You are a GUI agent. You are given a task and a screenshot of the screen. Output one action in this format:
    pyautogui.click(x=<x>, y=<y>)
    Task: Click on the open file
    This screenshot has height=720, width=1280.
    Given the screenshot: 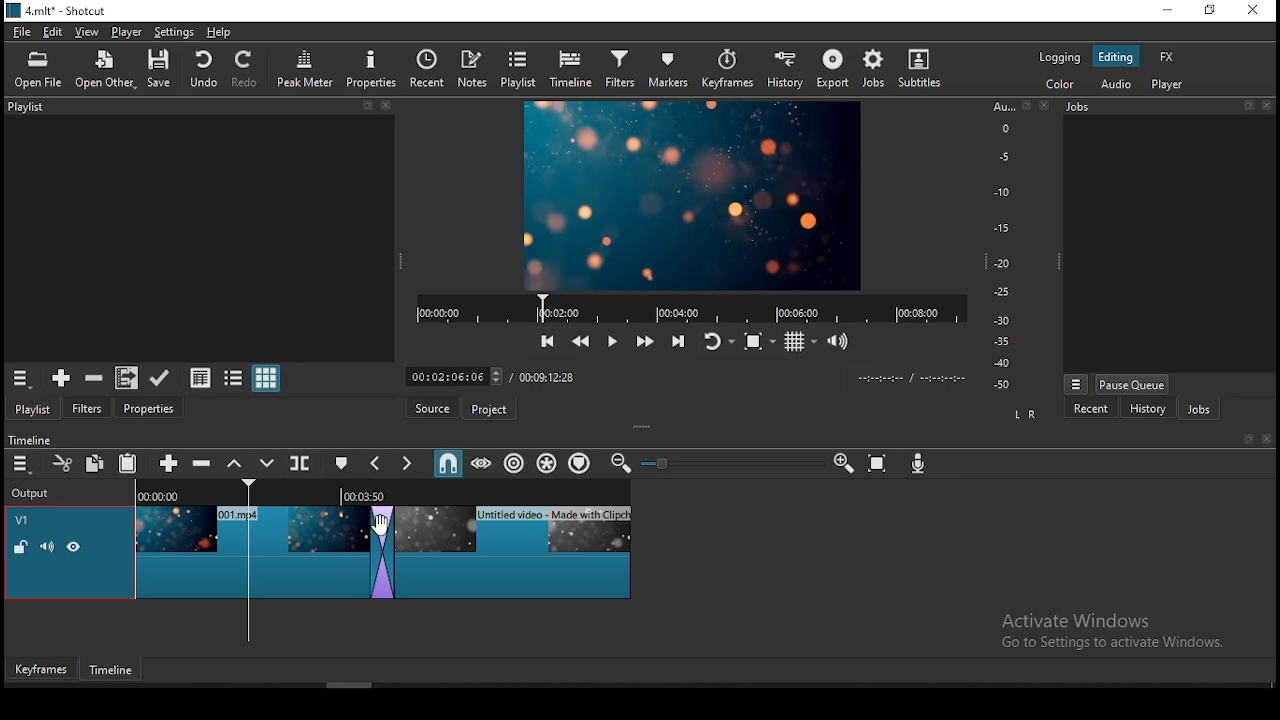 What is the action you would take?
    pyautogui.click(x=37, y=70)
    